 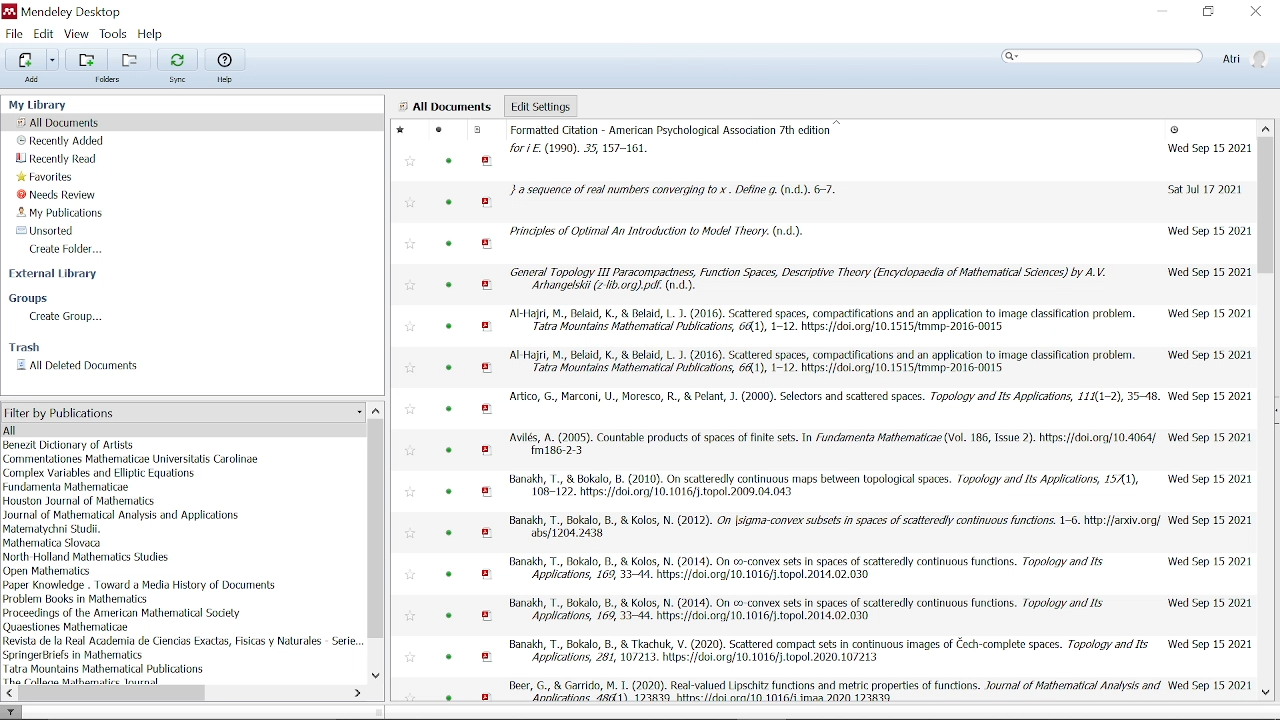 I want to click on Move up, so click(x=1266, y=127).